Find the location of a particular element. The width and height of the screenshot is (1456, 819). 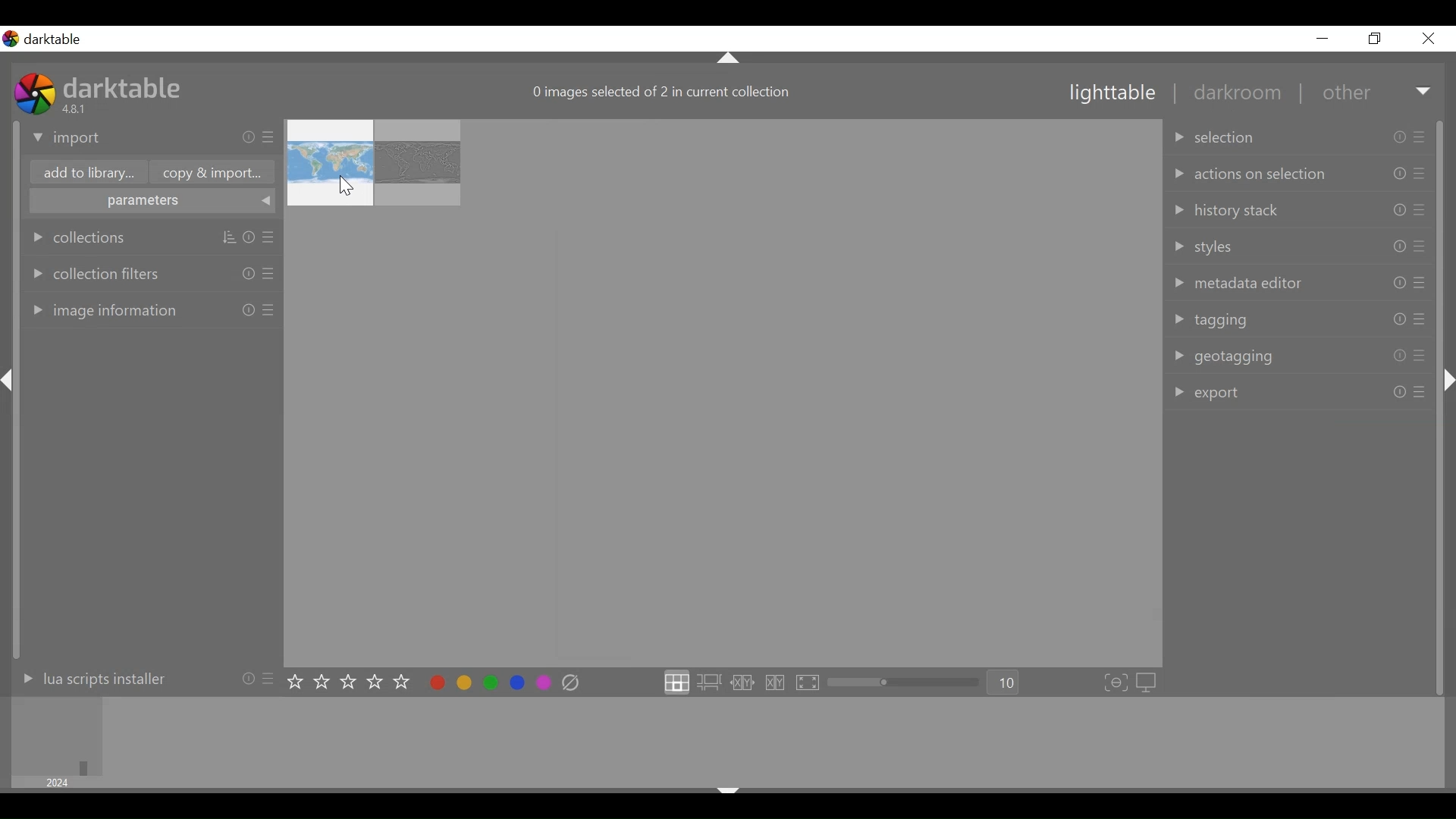

image 1 is located at coordinates (330, 162).